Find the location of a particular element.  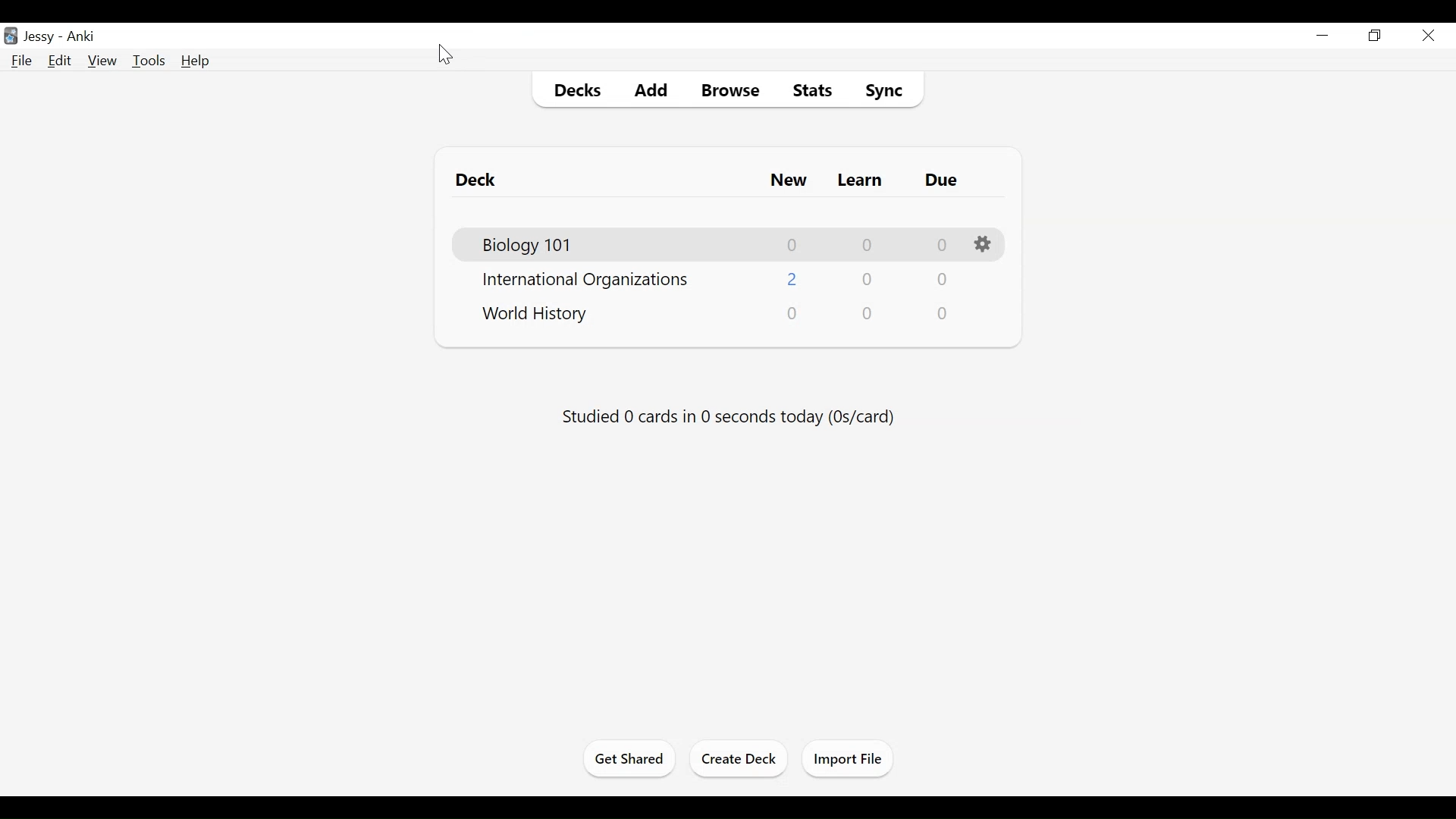

File is located at coordinates (22, 60).